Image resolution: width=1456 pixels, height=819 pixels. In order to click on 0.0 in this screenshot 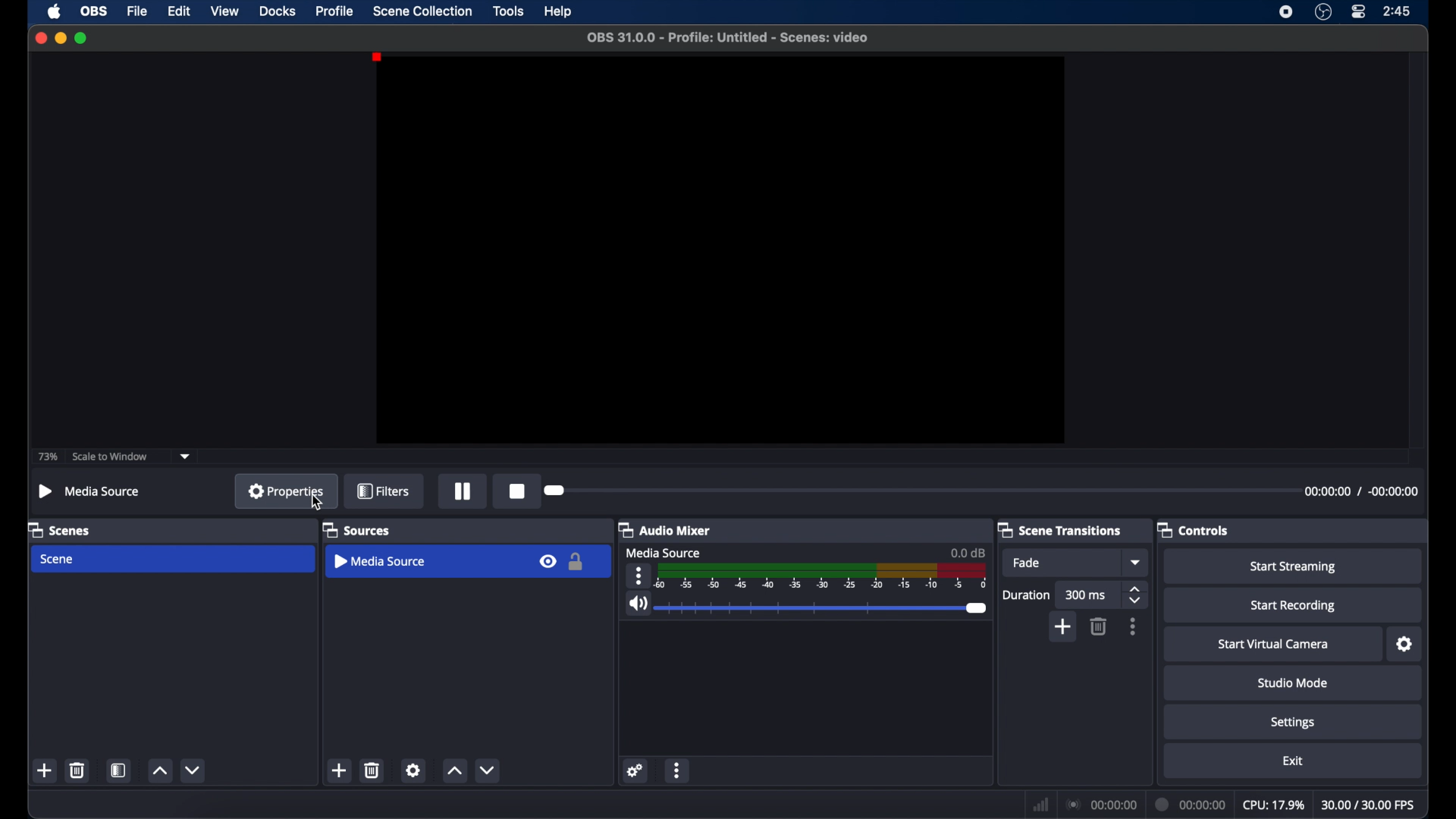, I will do `click(968, 552)`.